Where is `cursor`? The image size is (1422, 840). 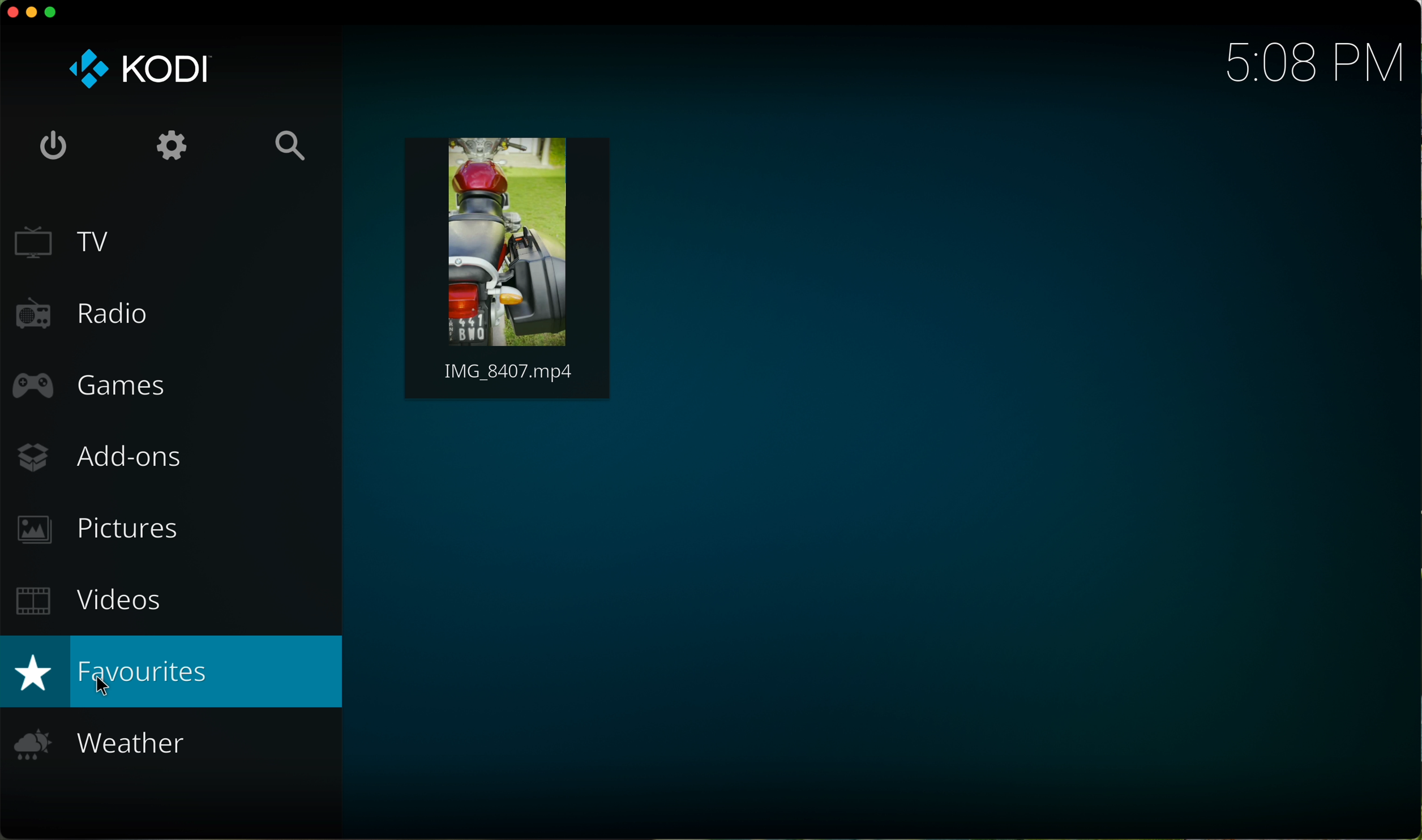
cursor is located at coordinates (97, 685).